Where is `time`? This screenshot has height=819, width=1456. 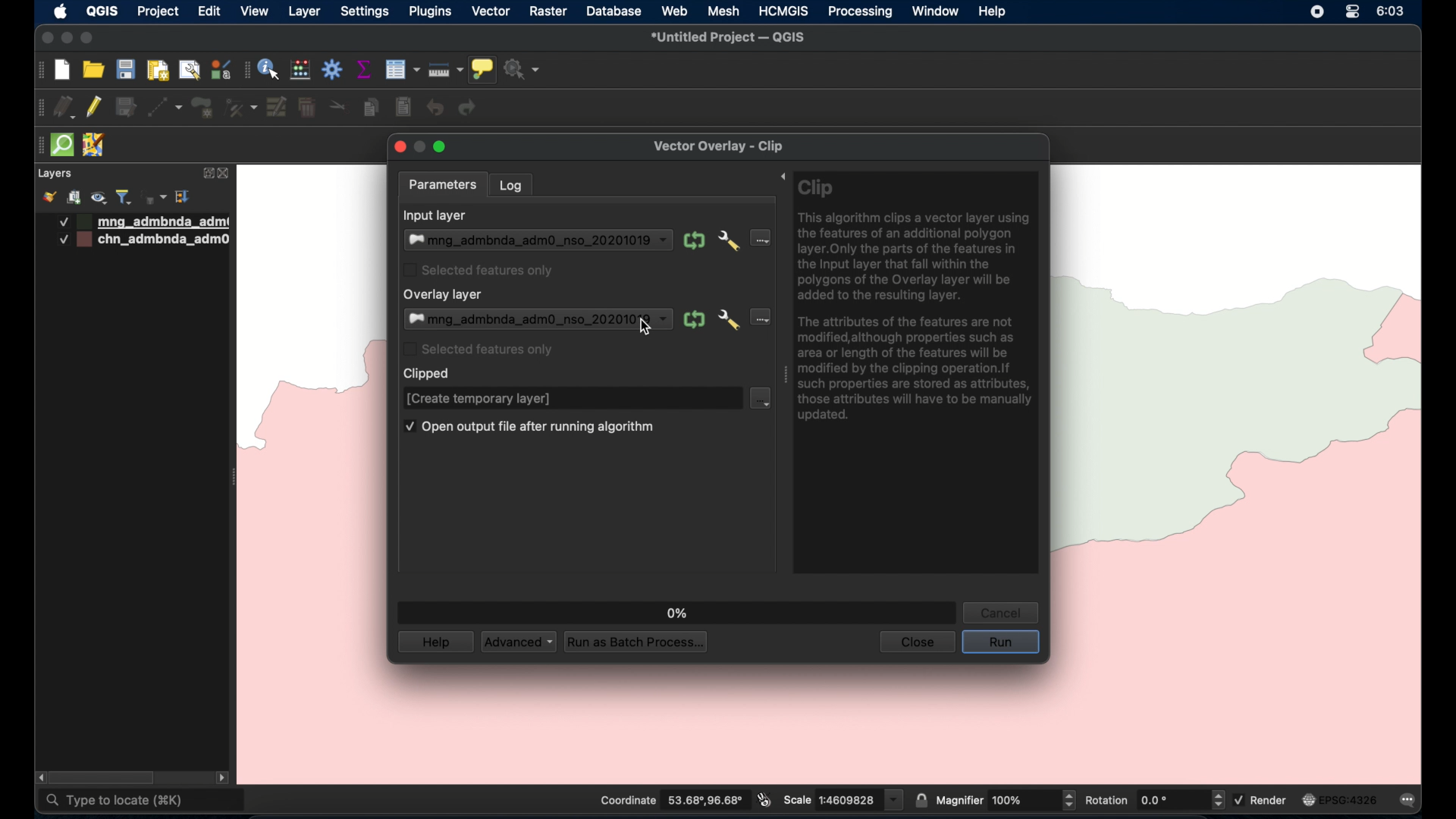 time is located at coordinates (1392, 11).